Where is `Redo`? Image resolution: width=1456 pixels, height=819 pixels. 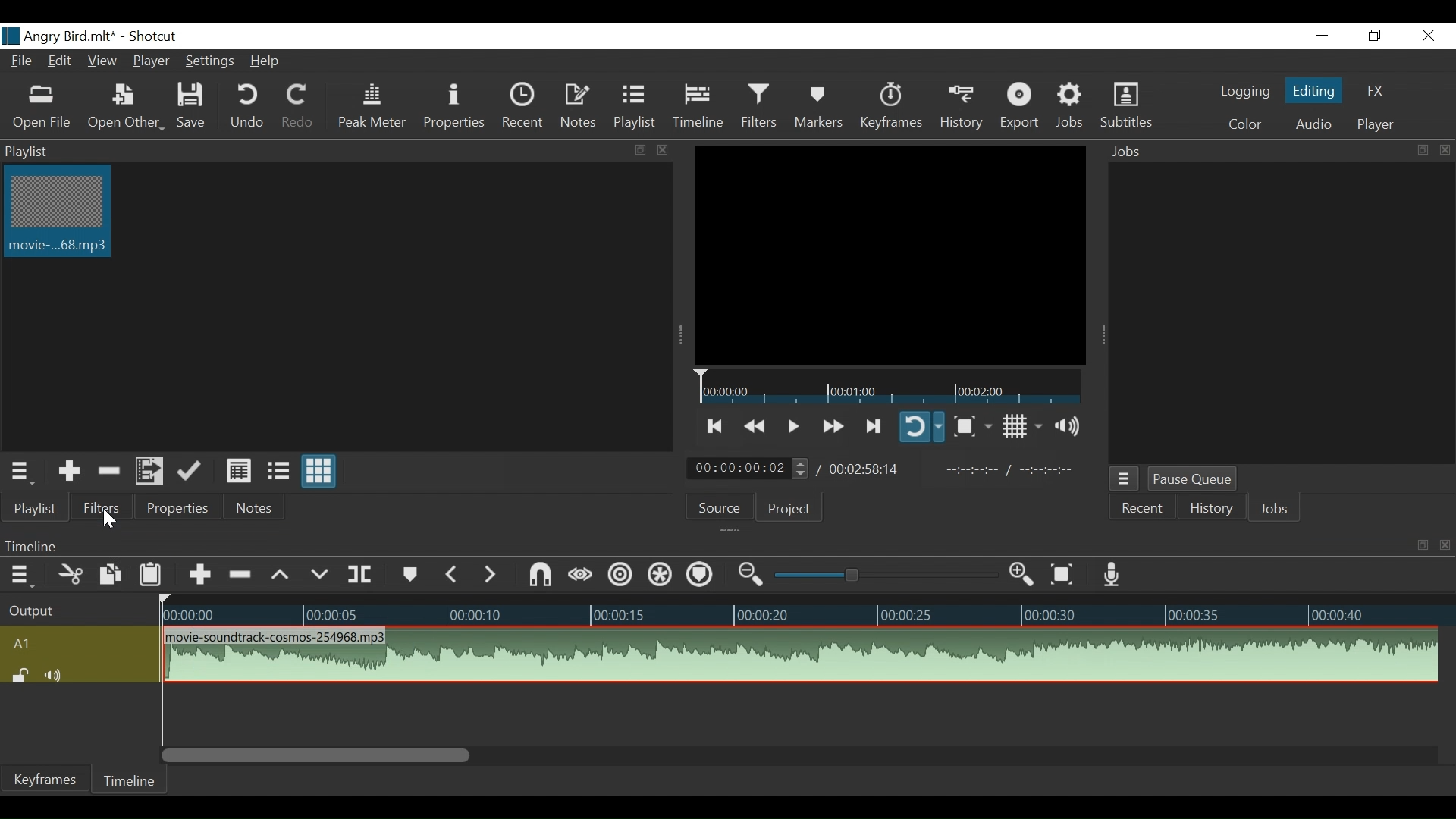
Redo is located at coordinates (293, 107).